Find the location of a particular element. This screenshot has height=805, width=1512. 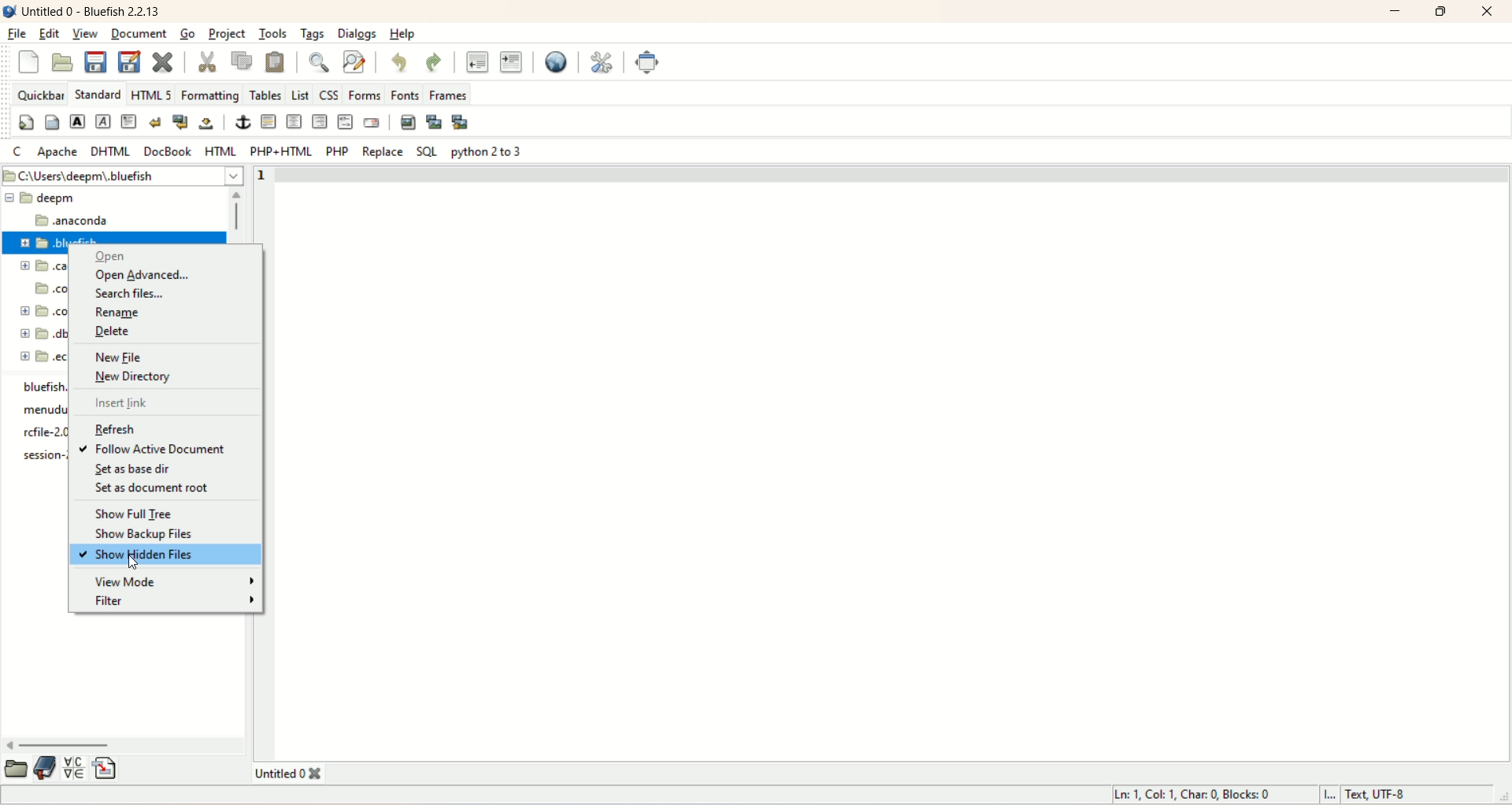

eepm is located at coordinates (45, 199).